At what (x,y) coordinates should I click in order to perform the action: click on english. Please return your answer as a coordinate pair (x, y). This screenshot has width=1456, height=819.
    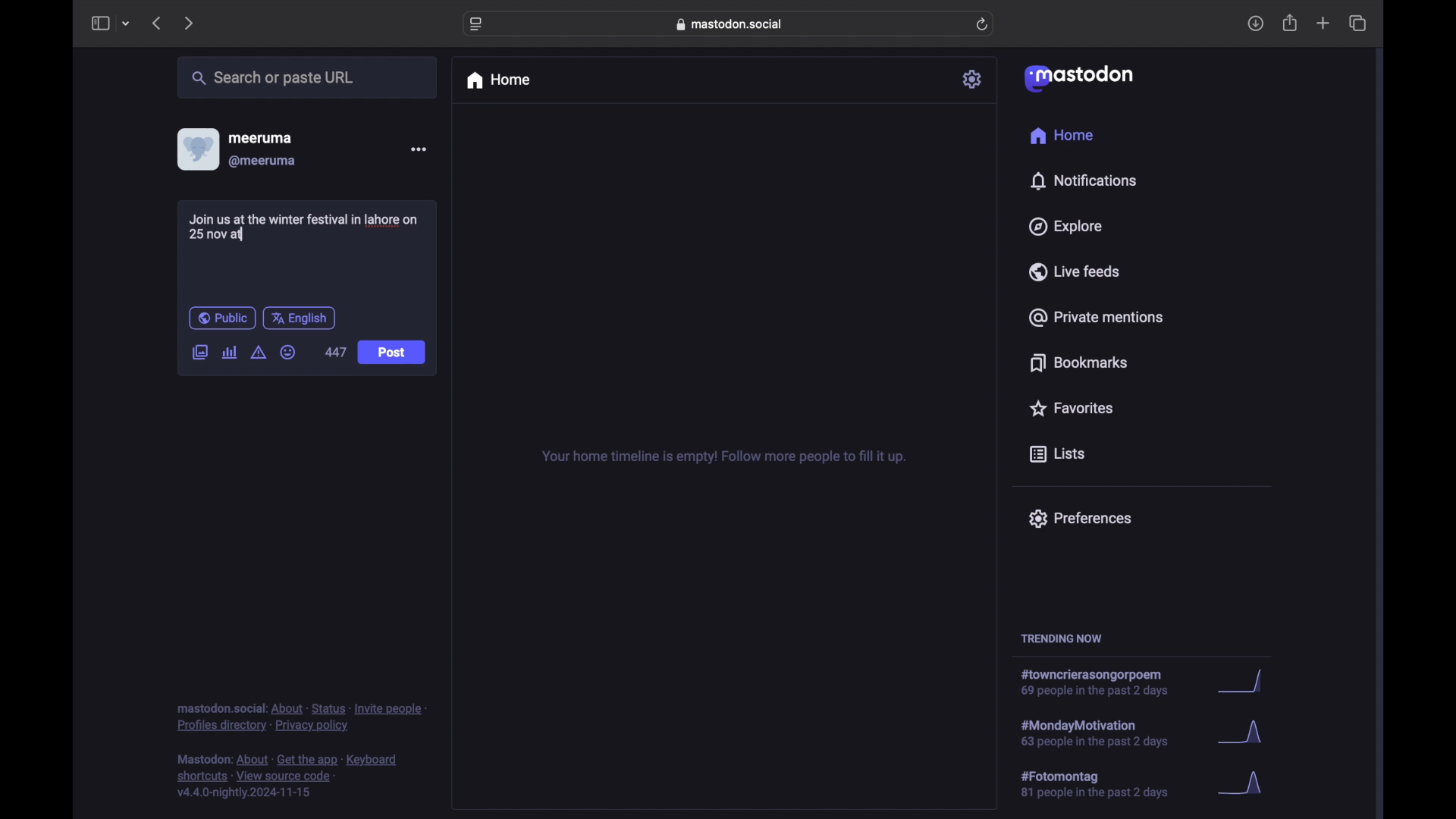
    Looking at the image, I should click on (300, 318).